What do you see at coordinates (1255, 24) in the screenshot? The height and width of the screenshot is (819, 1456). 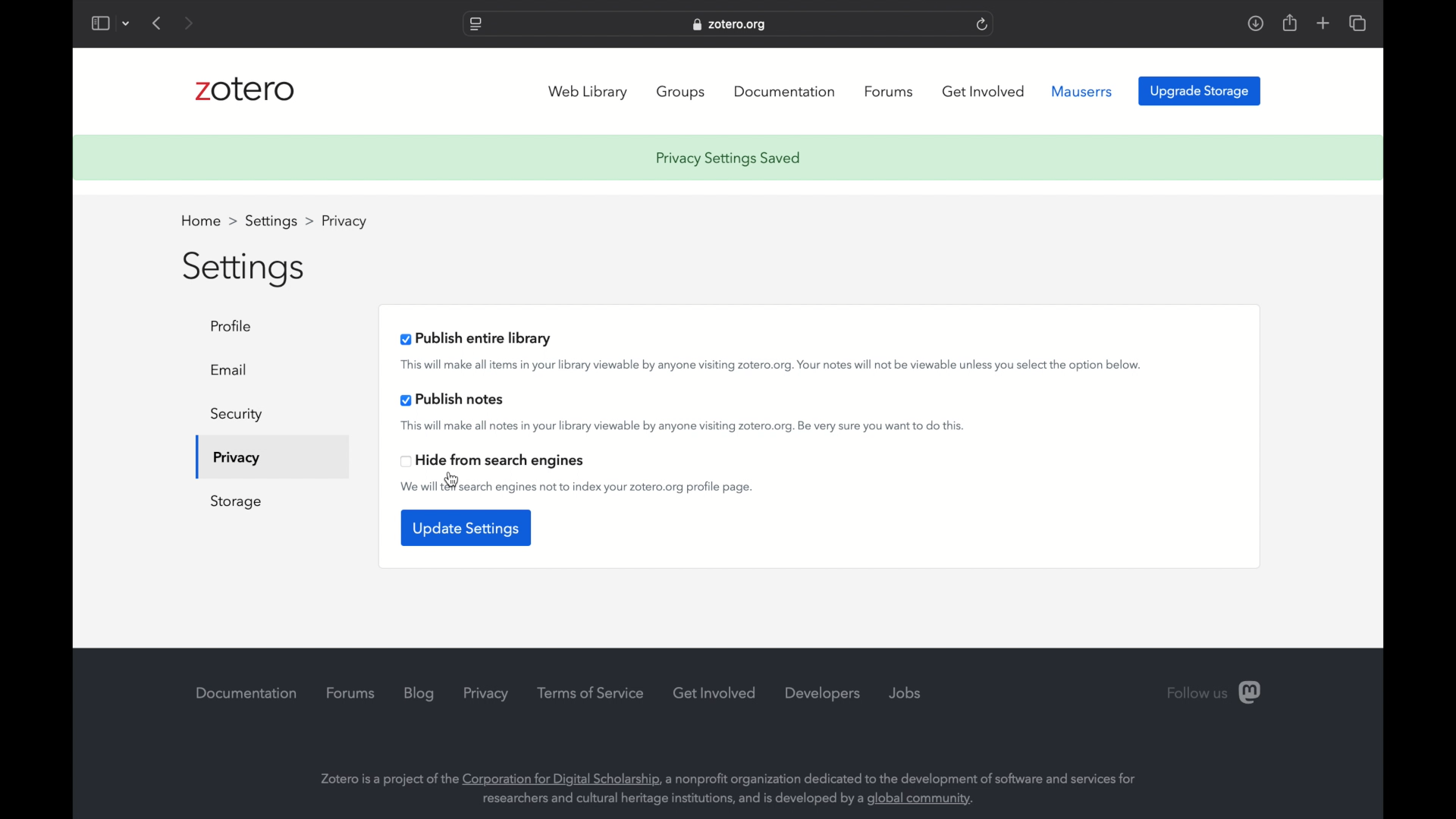 I see `downloads` at bounding box center [1255, 24].